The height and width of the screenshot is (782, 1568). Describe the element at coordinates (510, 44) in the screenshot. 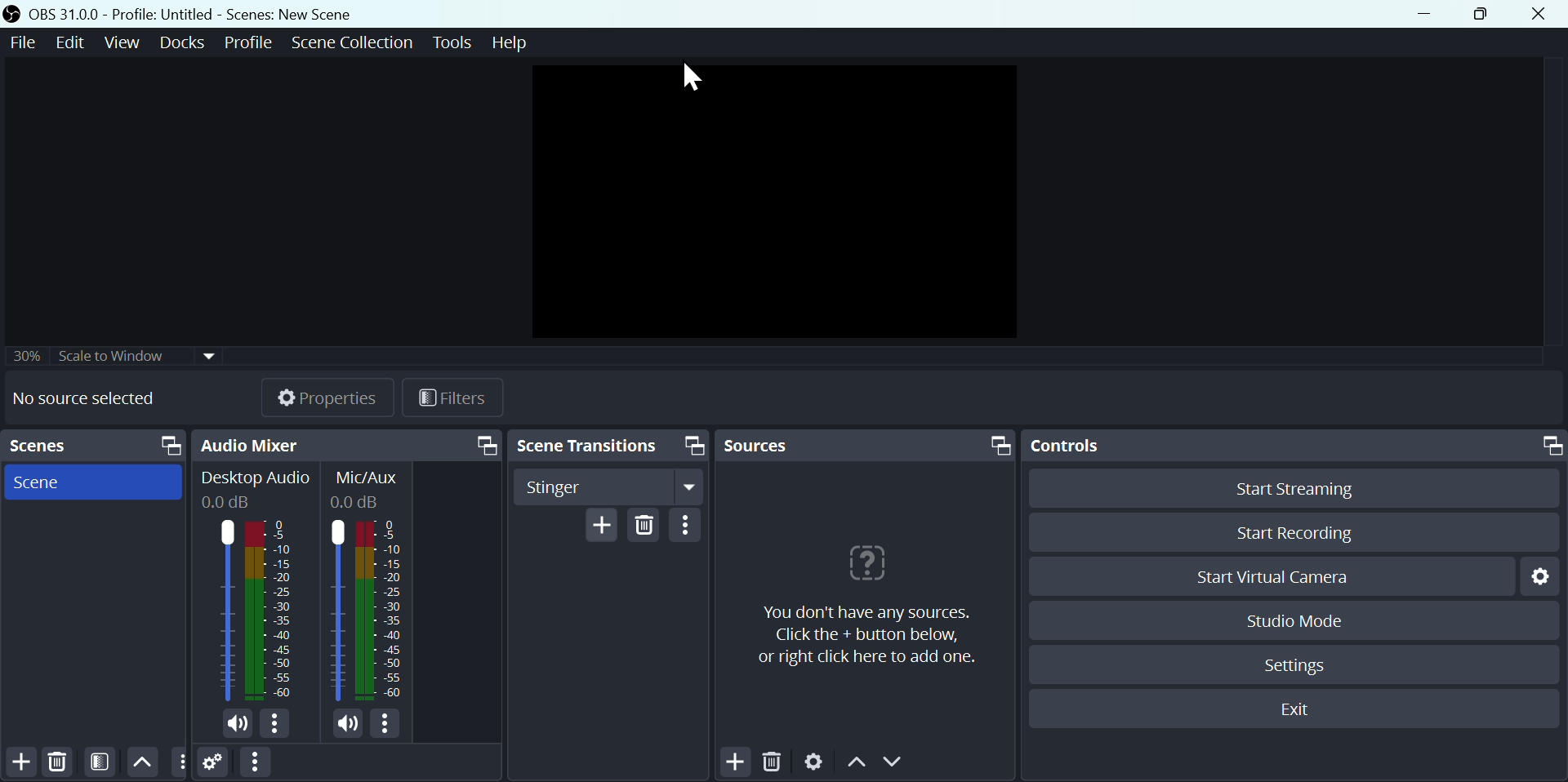

I see `` at that location.